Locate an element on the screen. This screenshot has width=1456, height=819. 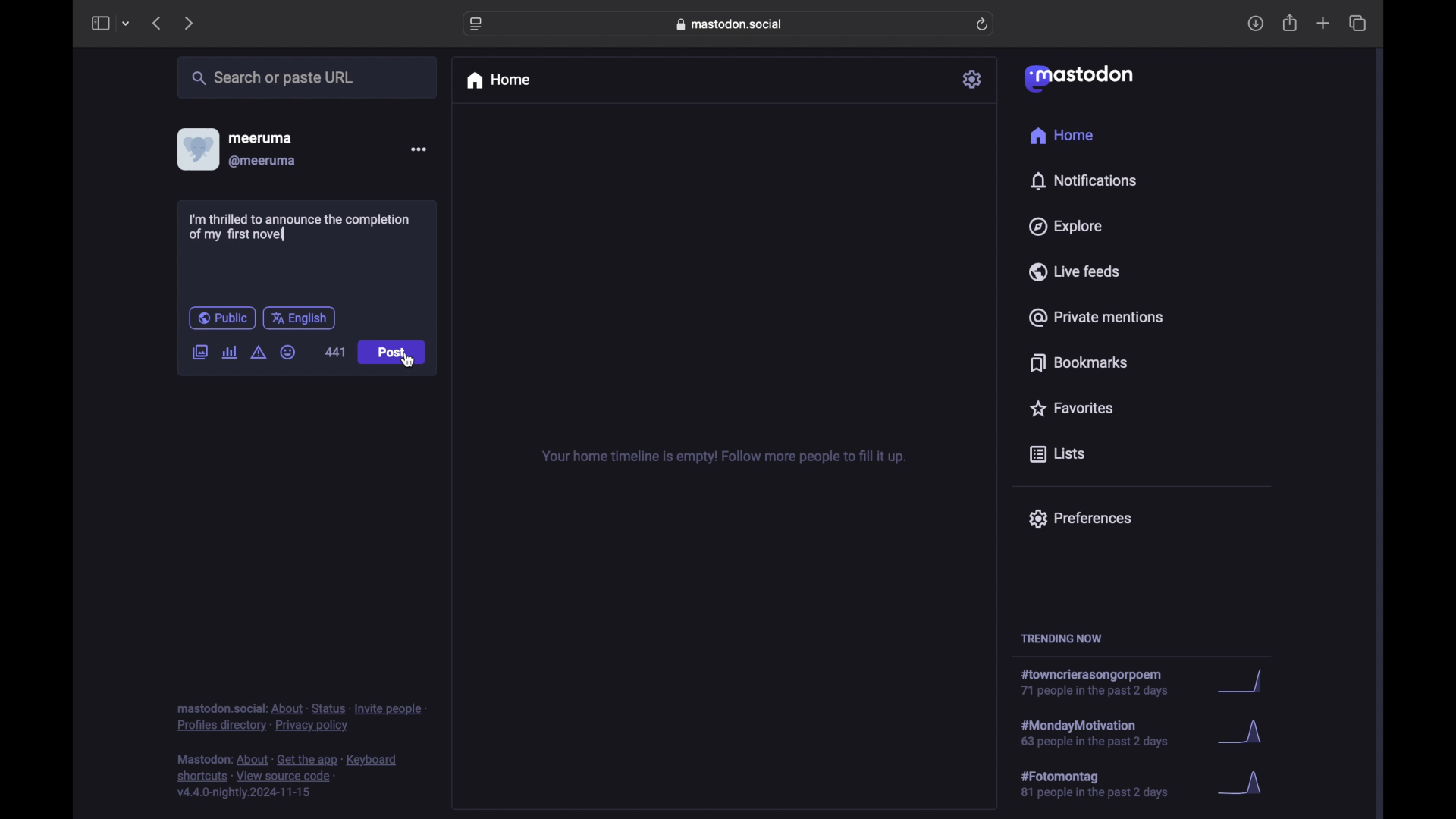
favorites is located at coordinates (1071, 408).